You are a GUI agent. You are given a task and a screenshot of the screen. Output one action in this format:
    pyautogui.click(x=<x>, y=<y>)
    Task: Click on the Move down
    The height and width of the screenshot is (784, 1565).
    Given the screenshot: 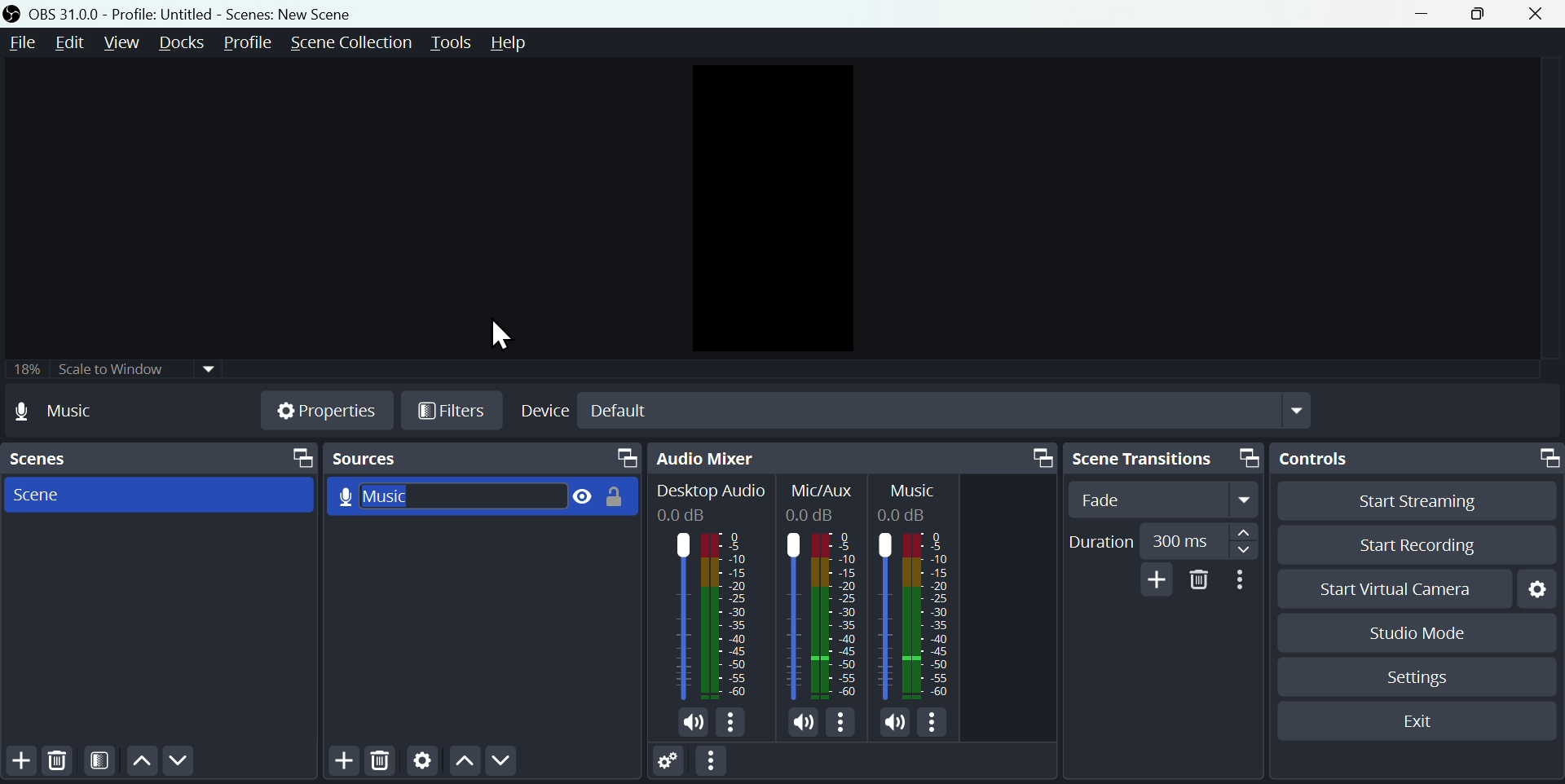 What is the action you would take?
    pyautogui.click(x=504, y=762)
    